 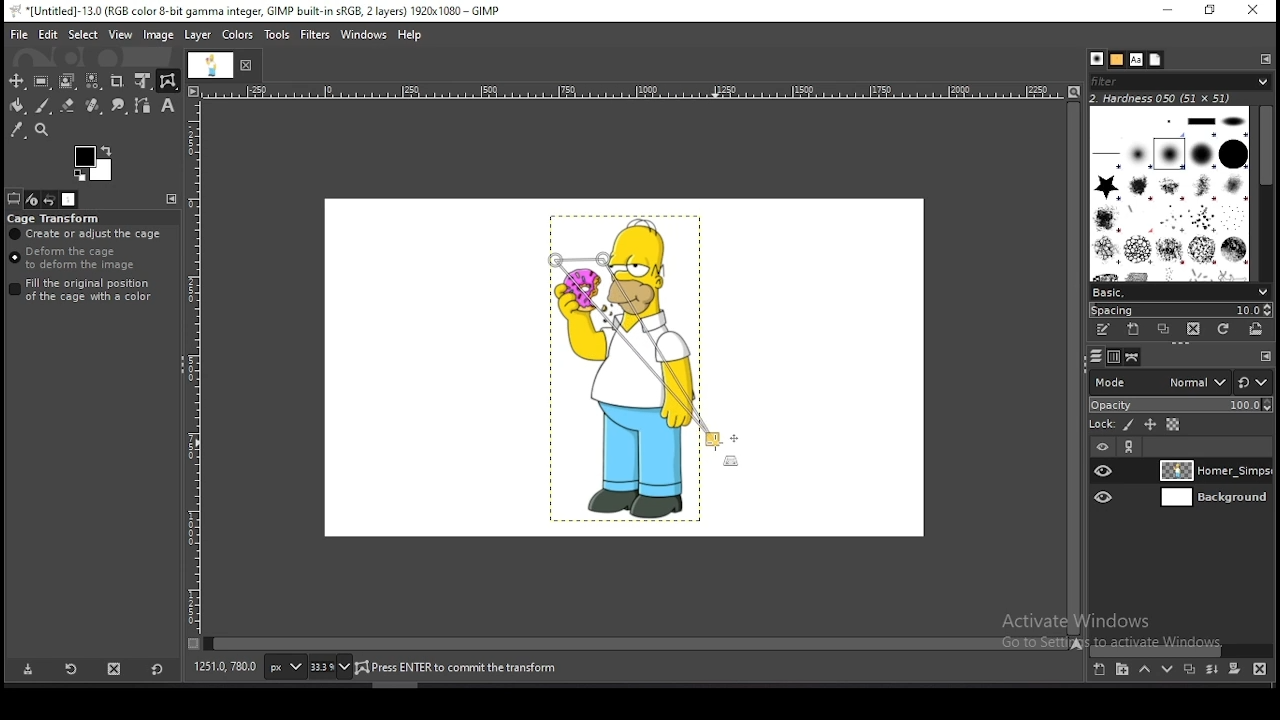 I want to click on lock pixels, so click(x=1127, y=426).